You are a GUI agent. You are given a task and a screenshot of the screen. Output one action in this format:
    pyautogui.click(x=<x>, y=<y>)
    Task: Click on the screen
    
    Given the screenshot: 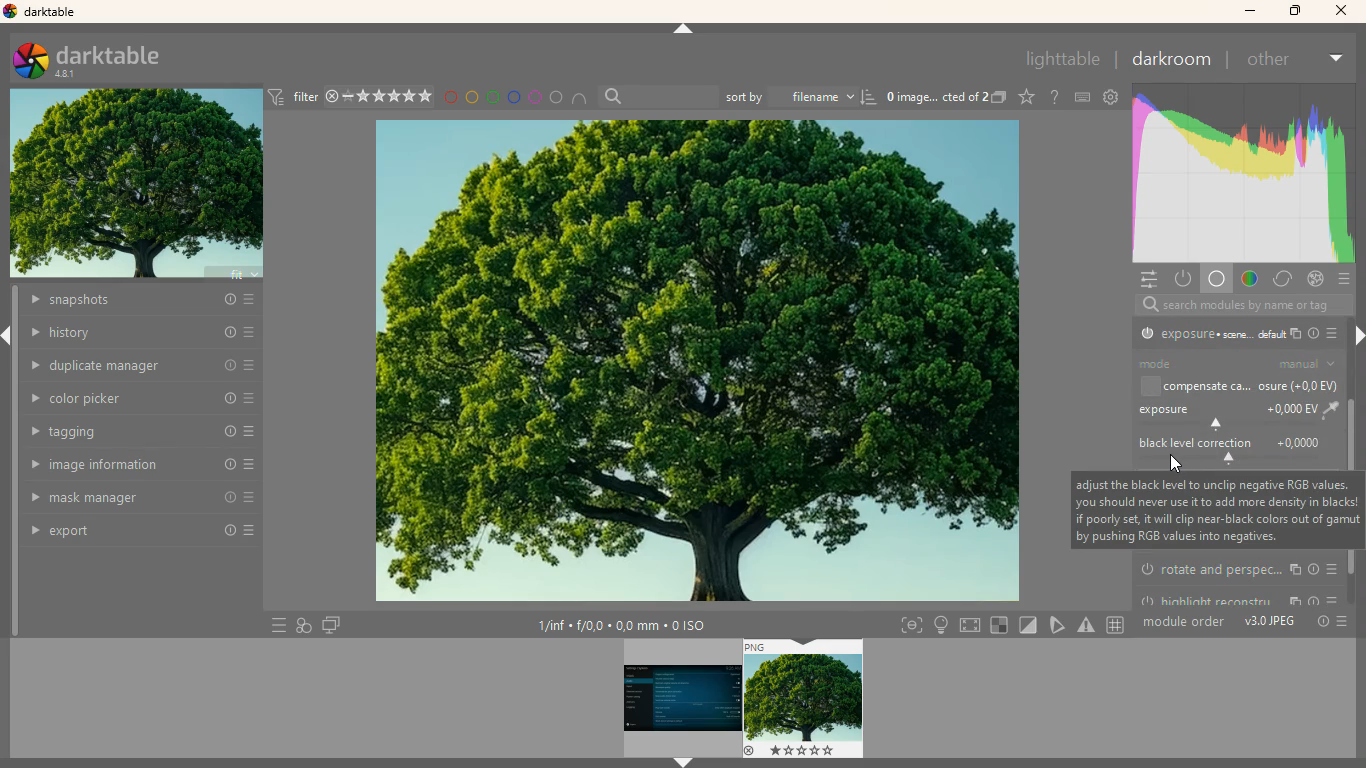 What is the action you would take?
    pyautogui.click(x=972, y=626)
    